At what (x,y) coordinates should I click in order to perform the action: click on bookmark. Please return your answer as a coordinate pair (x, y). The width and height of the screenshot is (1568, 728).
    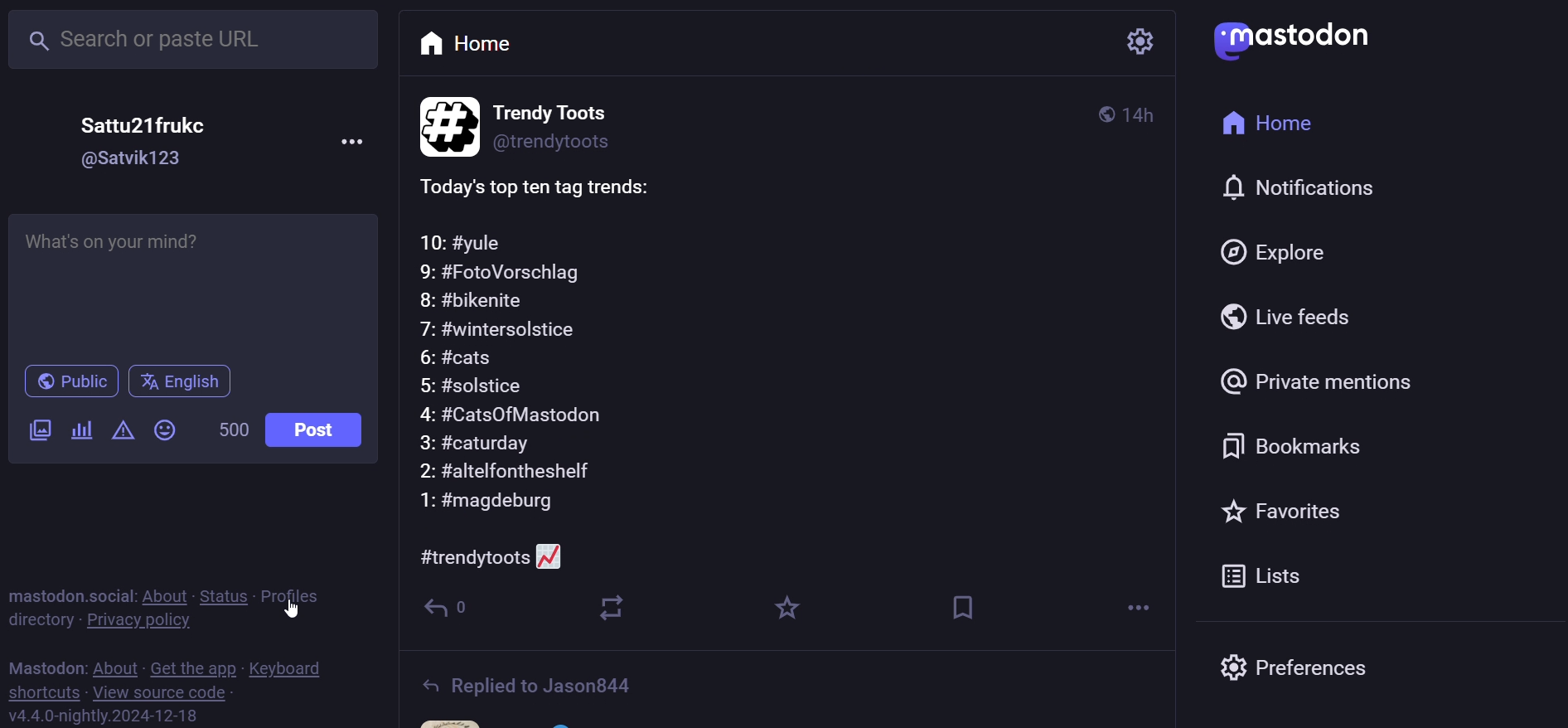
    Looking at the image, I should click on (1290, 444).